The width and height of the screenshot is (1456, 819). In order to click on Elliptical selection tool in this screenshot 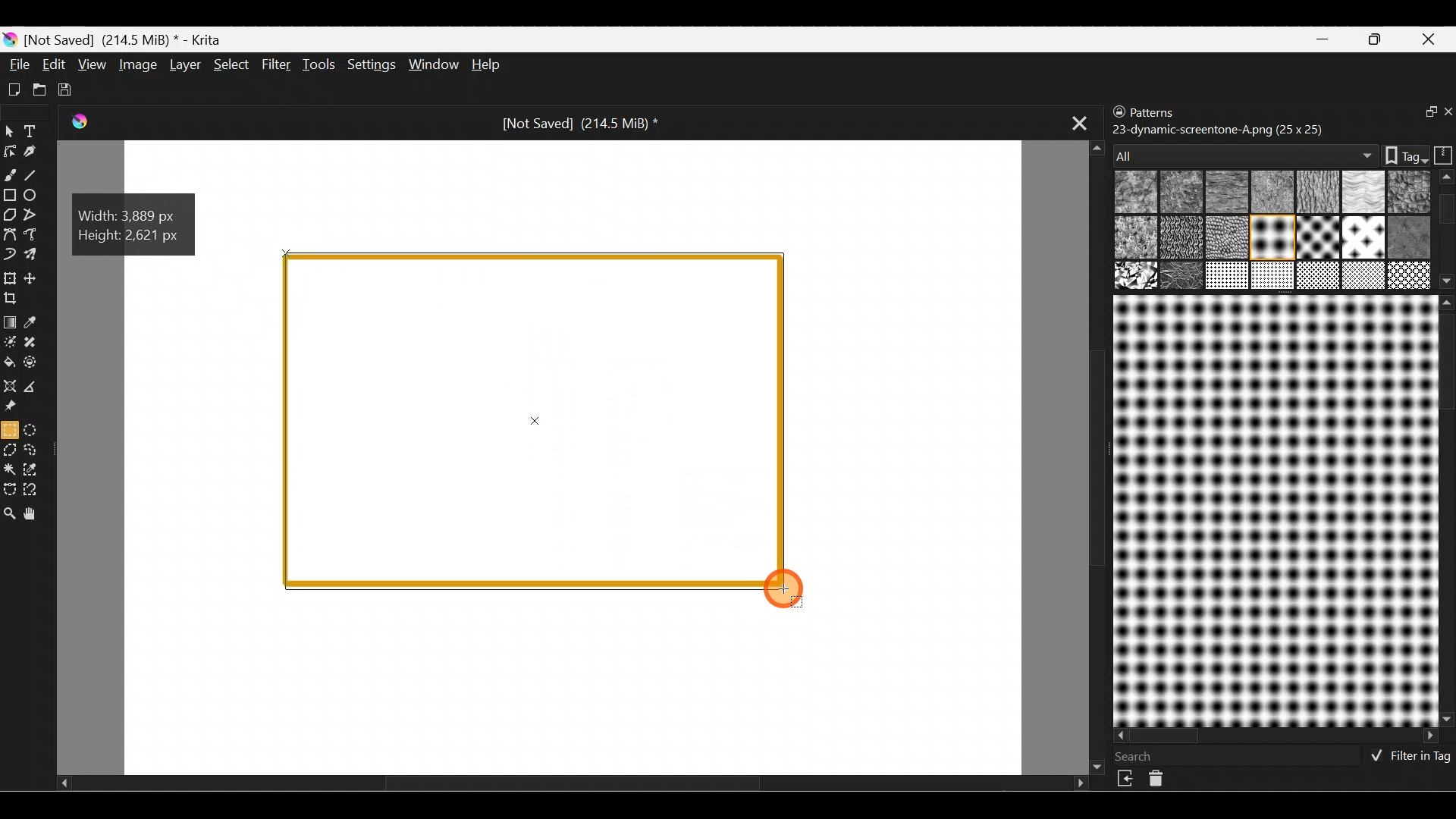, I will do `click(35, 429)`.